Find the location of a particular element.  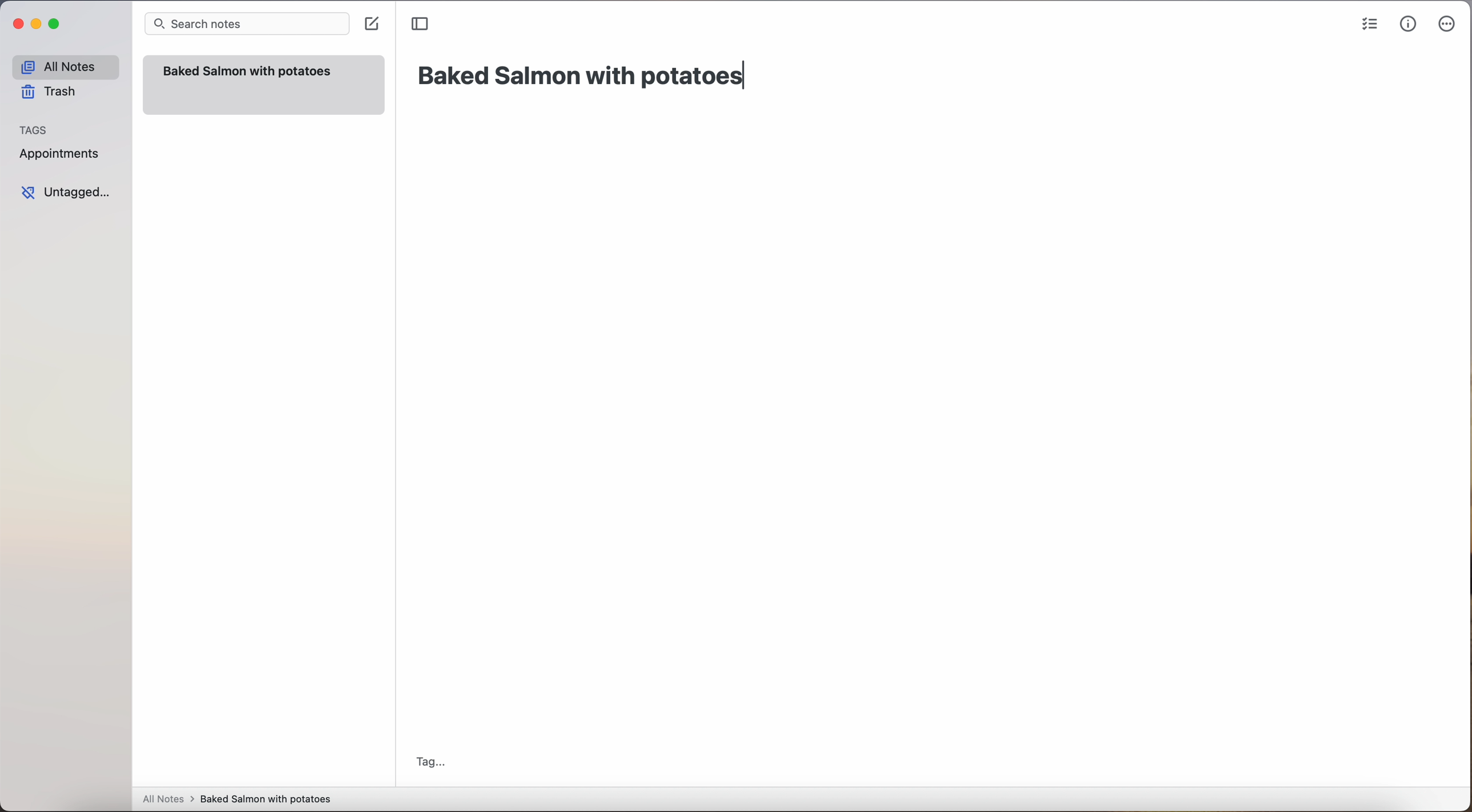

metrics is located at coordinates (1407, 24).